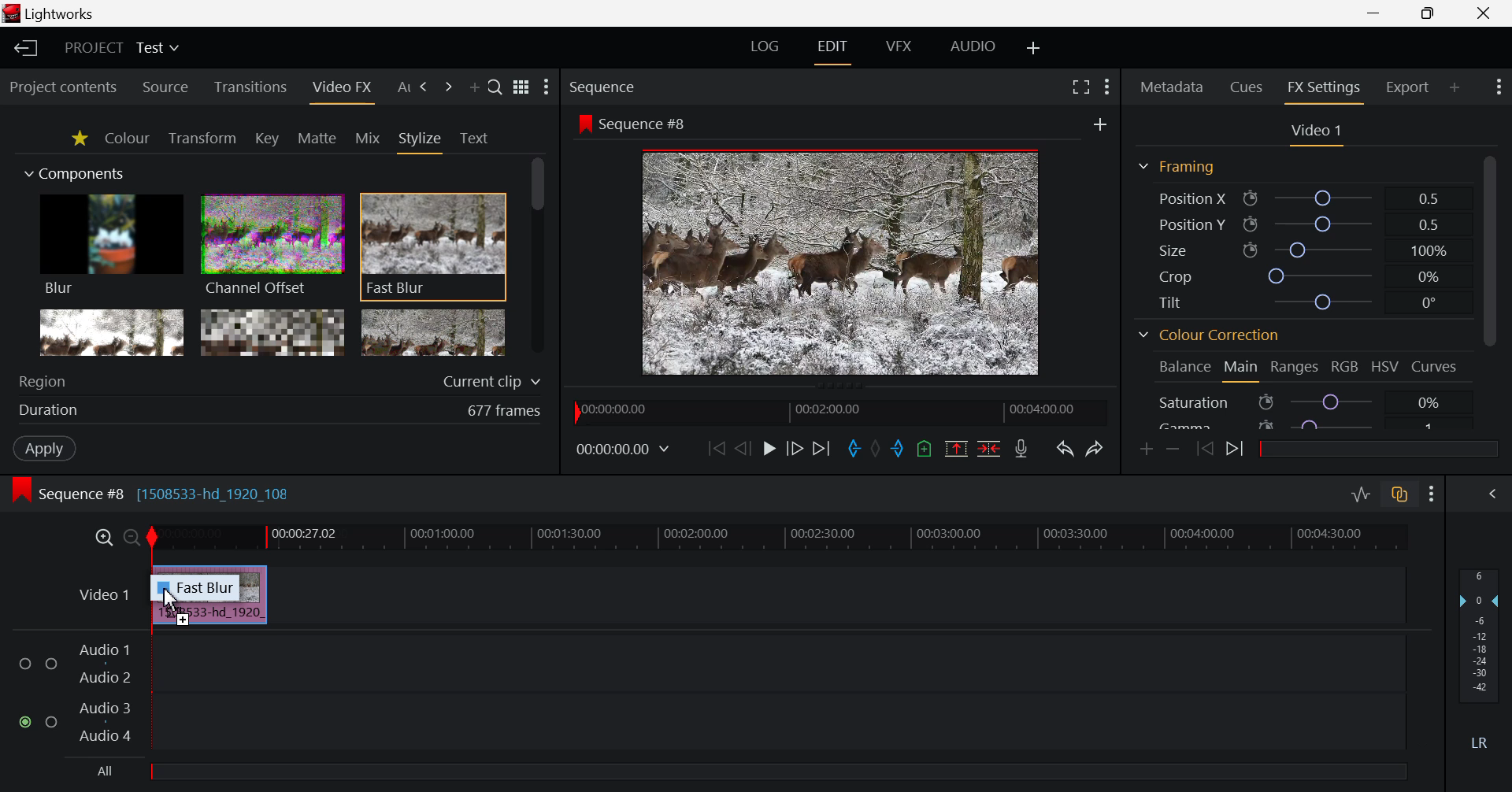  What do you see at coordinates (779, 536) in the screenshot?
I see `Project Timeline` at bounding box center [779, 536].